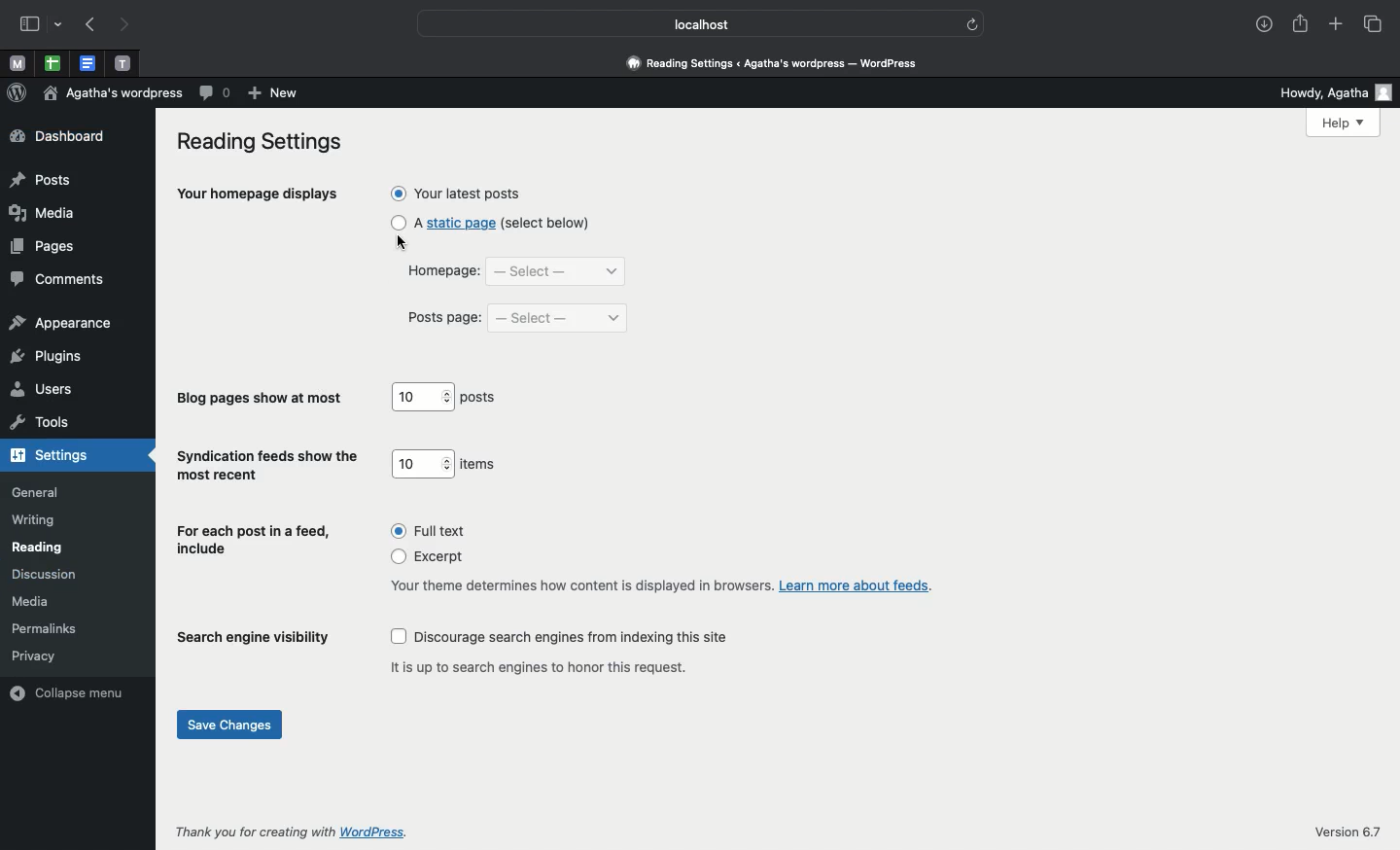 This screenshot has width=1400, height=850. What do you see at coordinates (1377, 25) in the screenshot?
I see `Tabs` at bounding box center [1377, 25].